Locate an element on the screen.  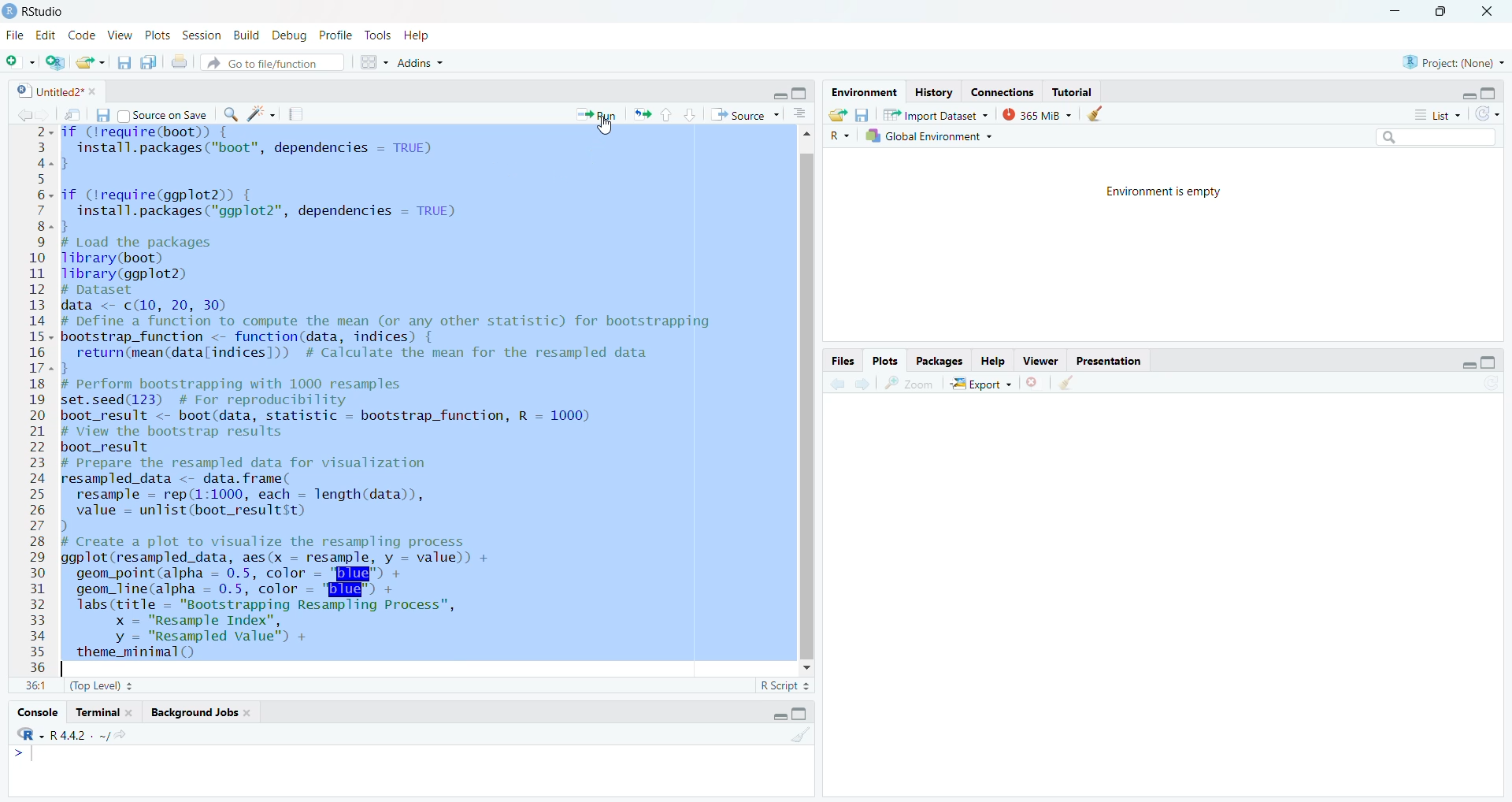
load workspace is located at coordinates (840, 114).